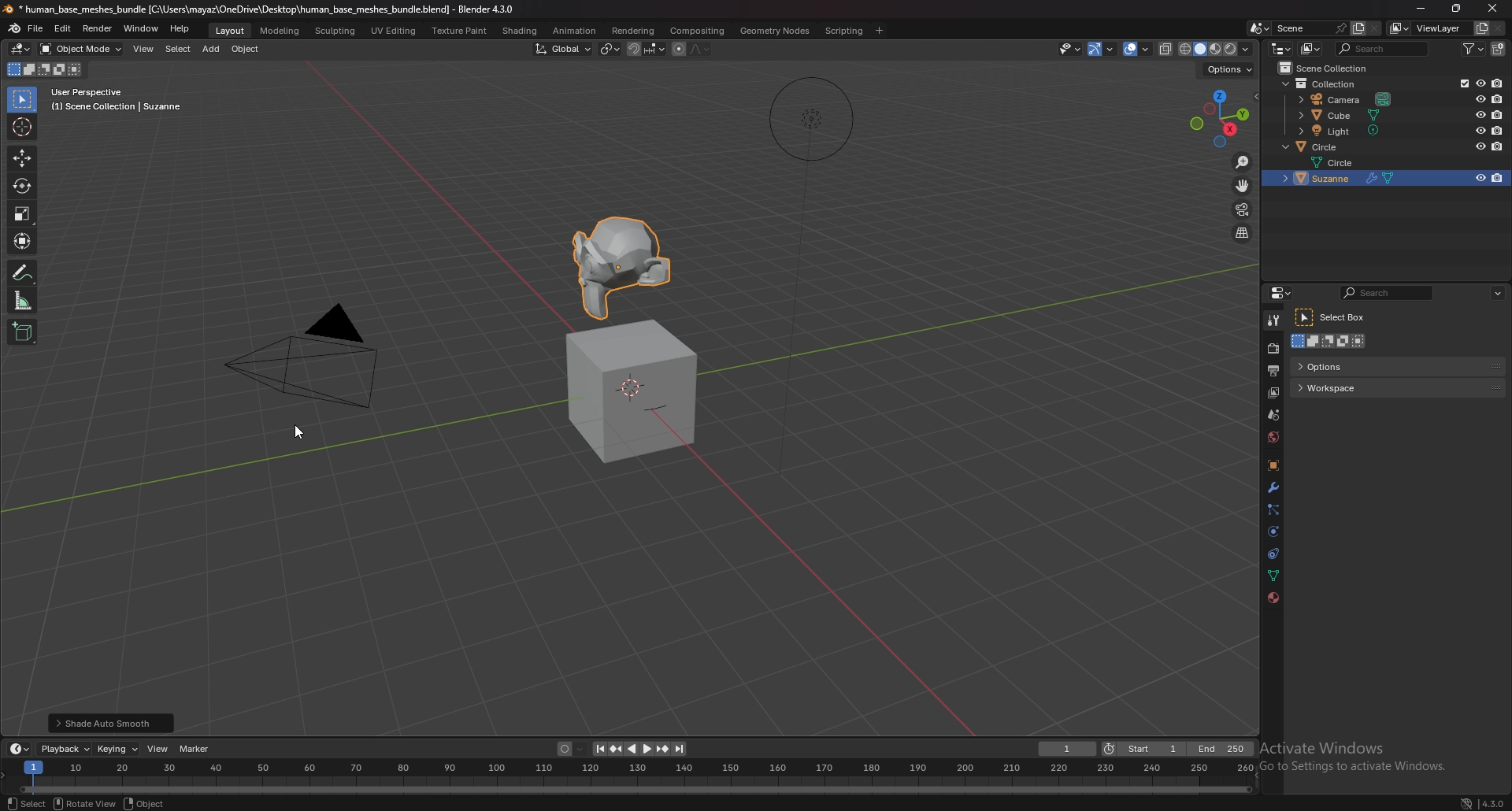  I want to click on move, so click(22, 158).